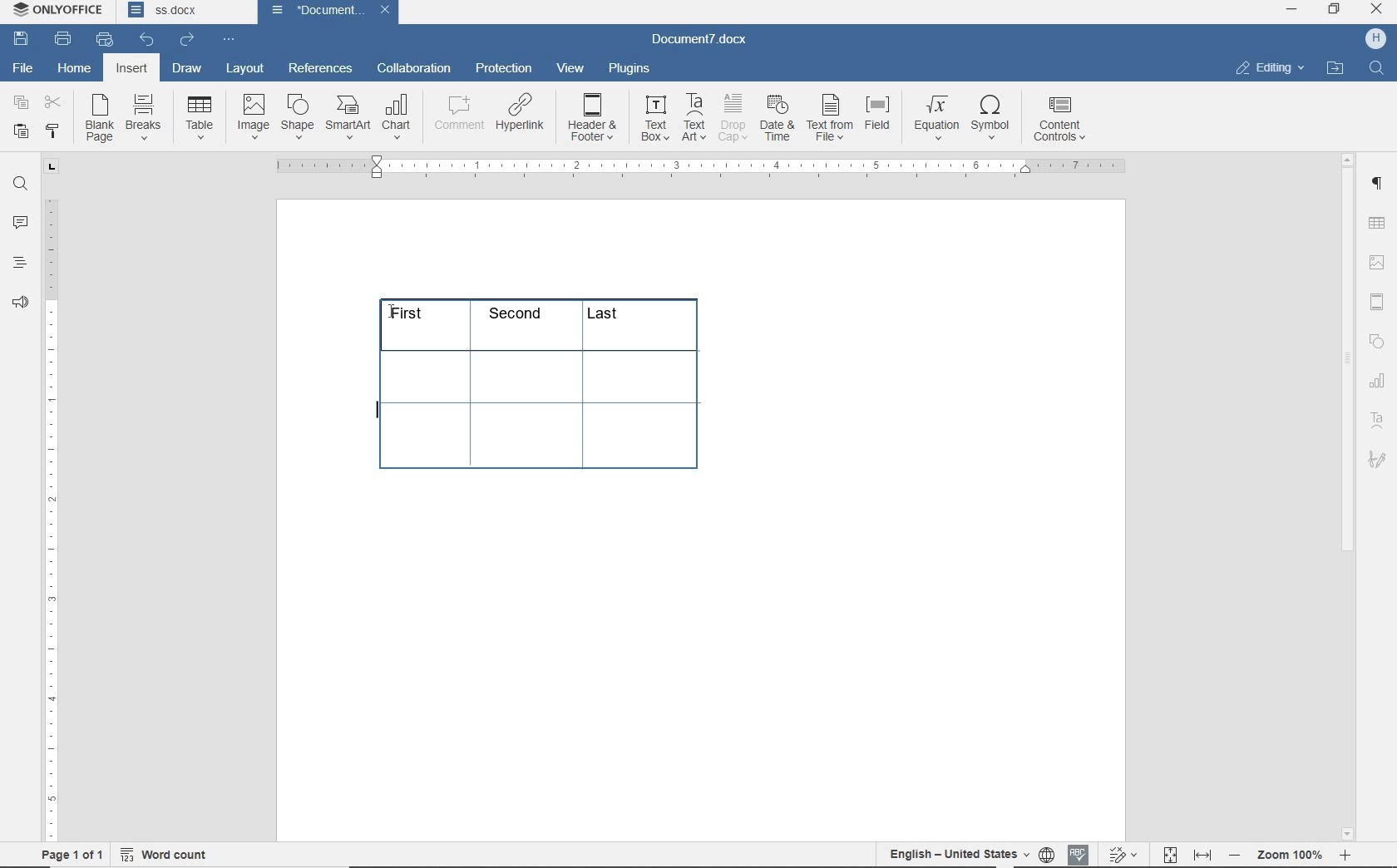 This screenshot has height=868, width=1397. Describe the element at coordinates (63, 38) in the screenshot. I see `print` at that location.